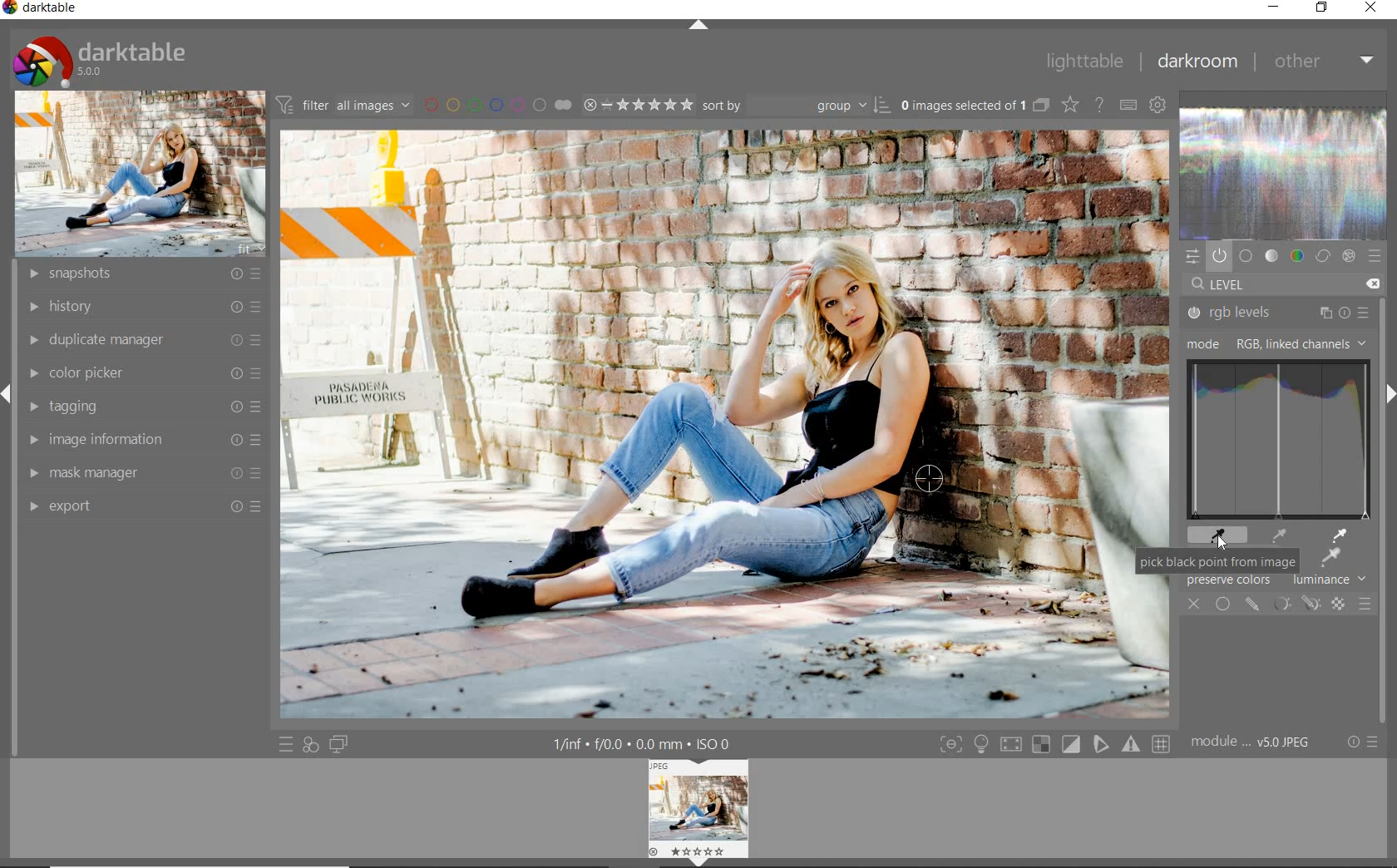 The image size is (1397, 868). Describe the element at coordinates (1221, 560) in the screenshot. I see `pick black point from image` at that location.